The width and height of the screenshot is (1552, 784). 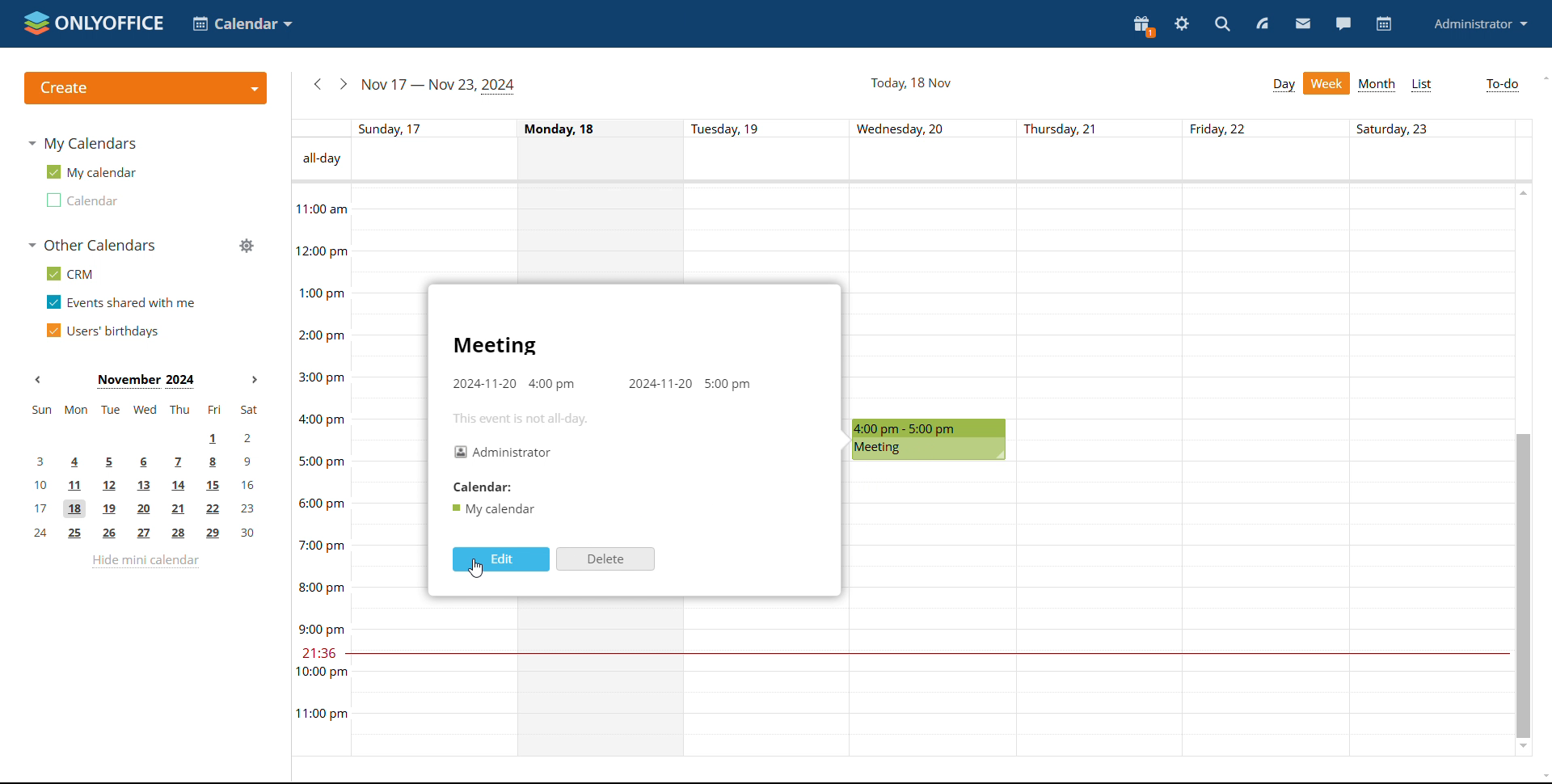 What do you see at coordinates (1342, 24) in the screenshot?
I see `chat` at bounding box center [1342, 24].